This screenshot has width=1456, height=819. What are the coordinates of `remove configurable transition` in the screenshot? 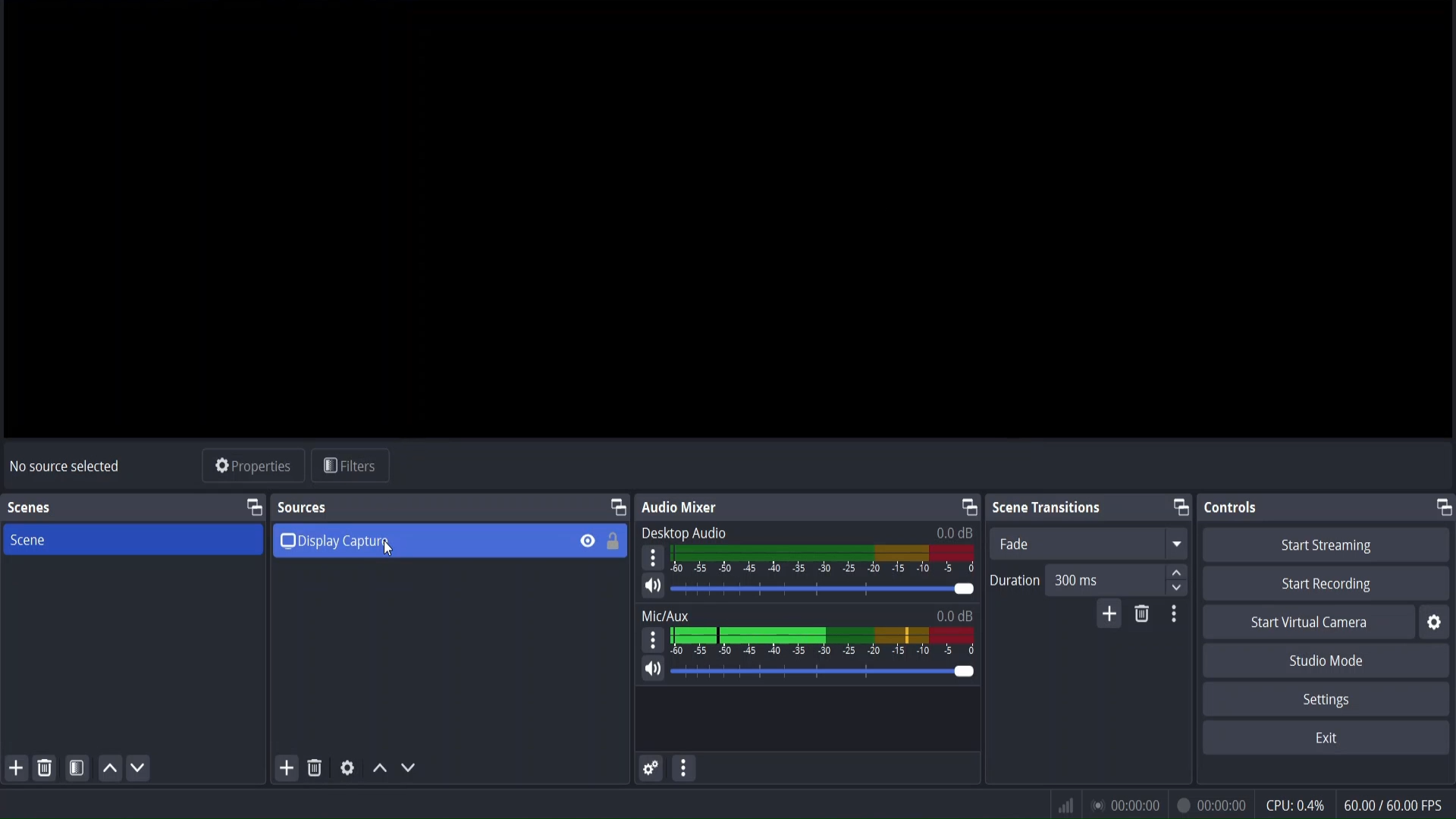 It's located at (1144, 613).